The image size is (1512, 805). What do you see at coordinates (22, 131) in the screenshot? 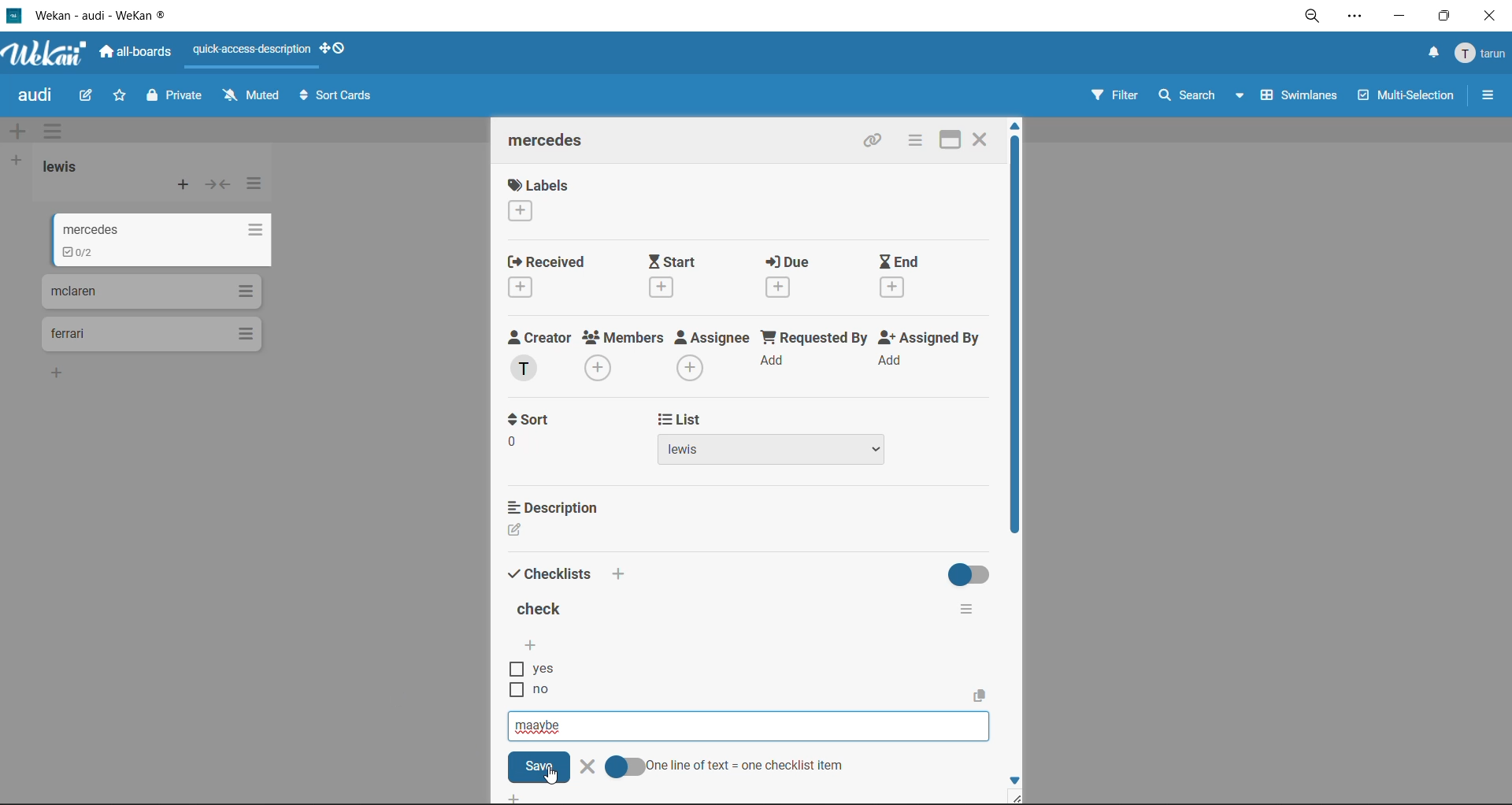
I see `add swimlane` at bounding box center [22, 131].